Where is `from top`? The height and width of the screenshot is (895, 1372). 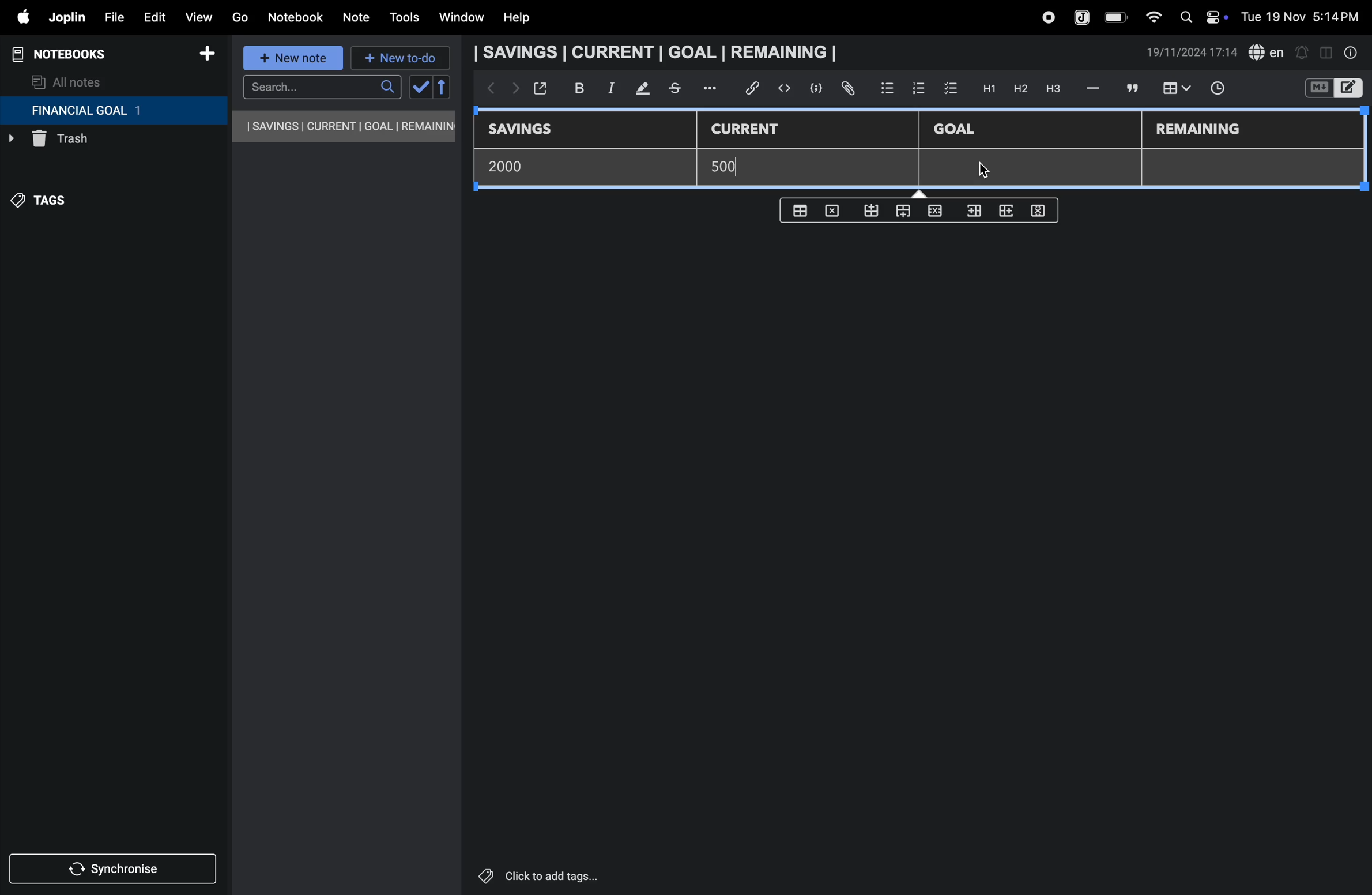
from top is located at coordinates (900, 212).